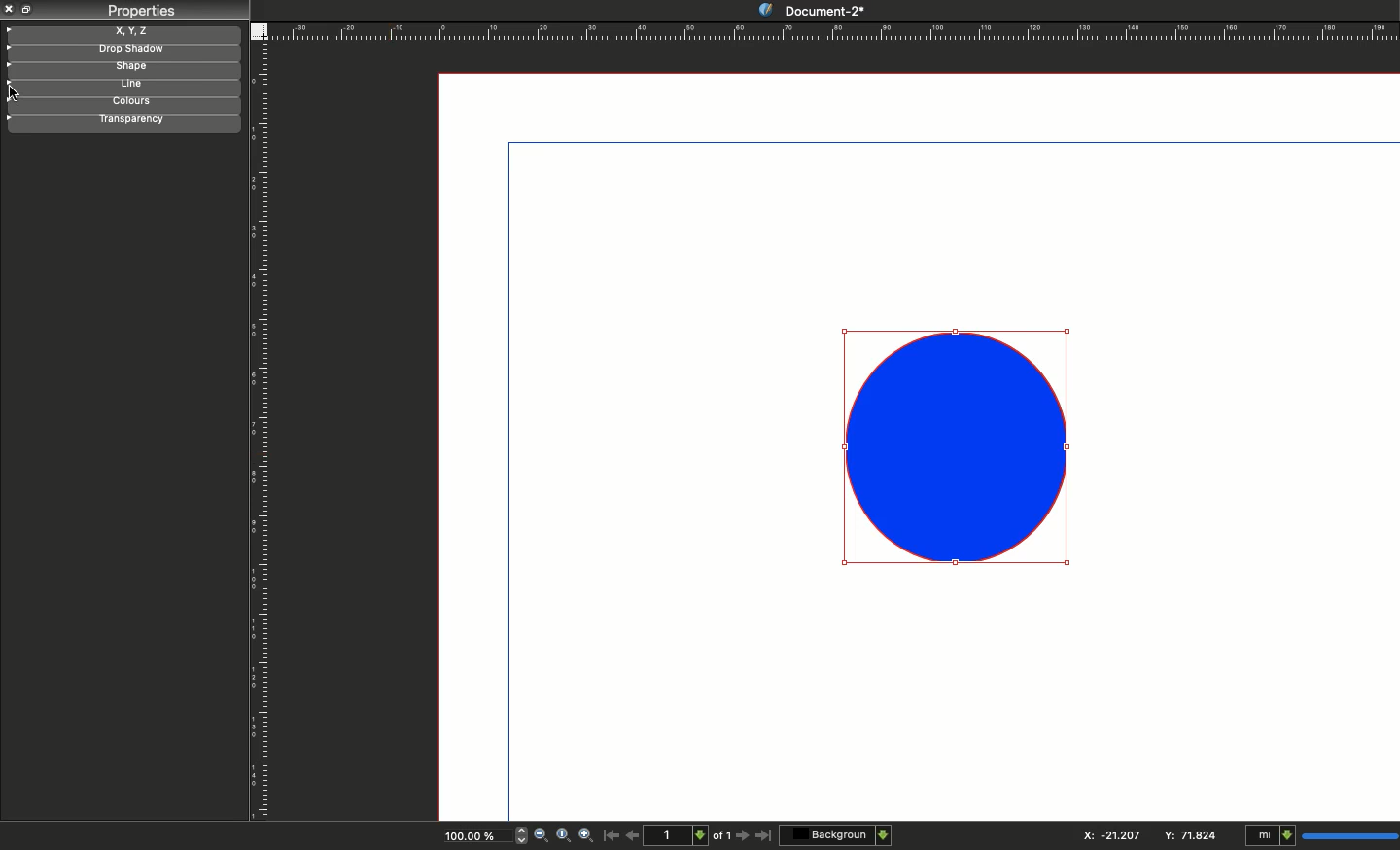 The height and width of the screenshot is (850, 1400). What do you see at coordinates (262, 433) in the screenshot?
I see `Ruler` at bounding box center [262, 433].